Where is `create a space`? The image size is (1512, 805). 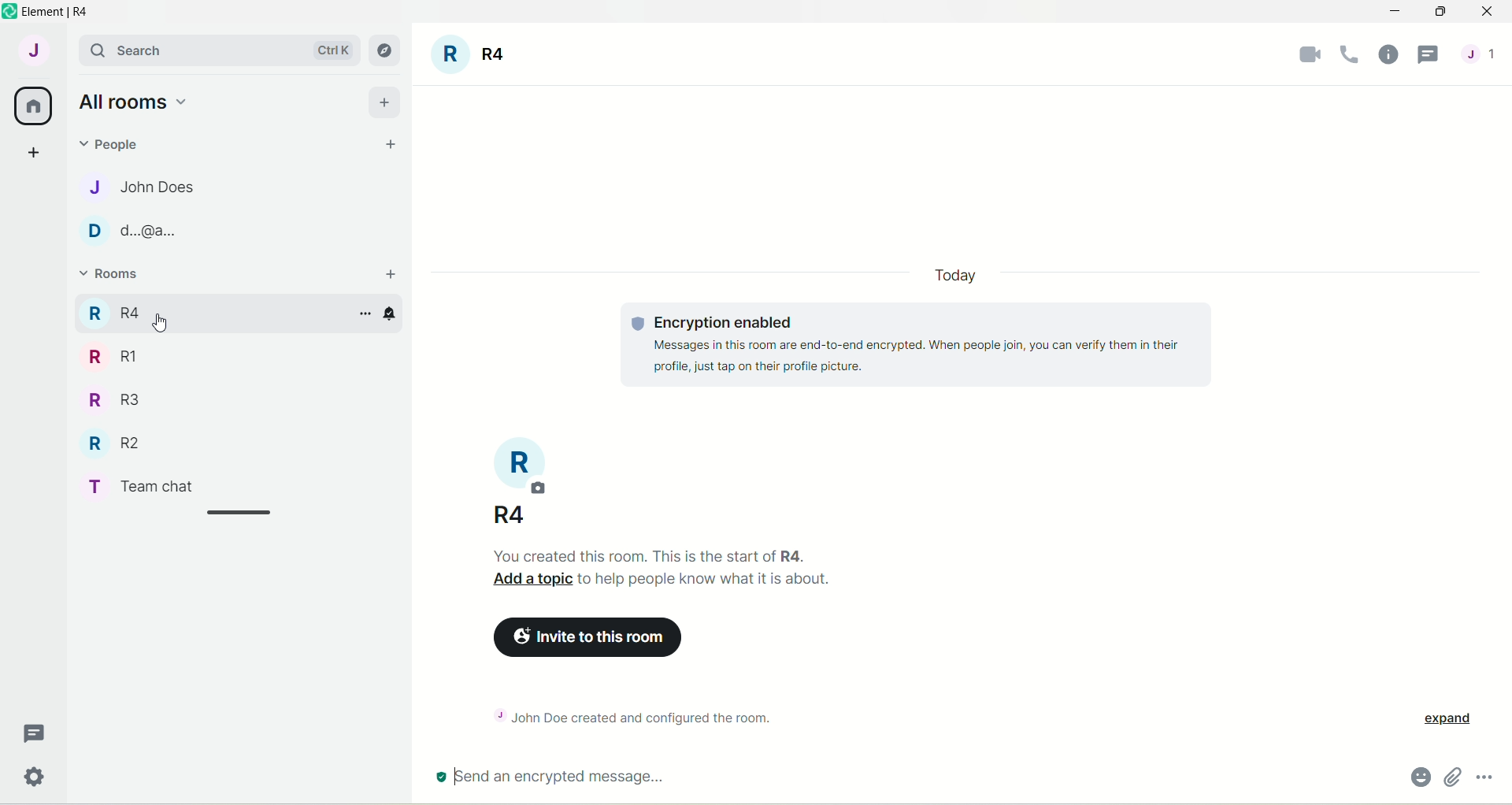 create a space is located at coordinates (32, 151).